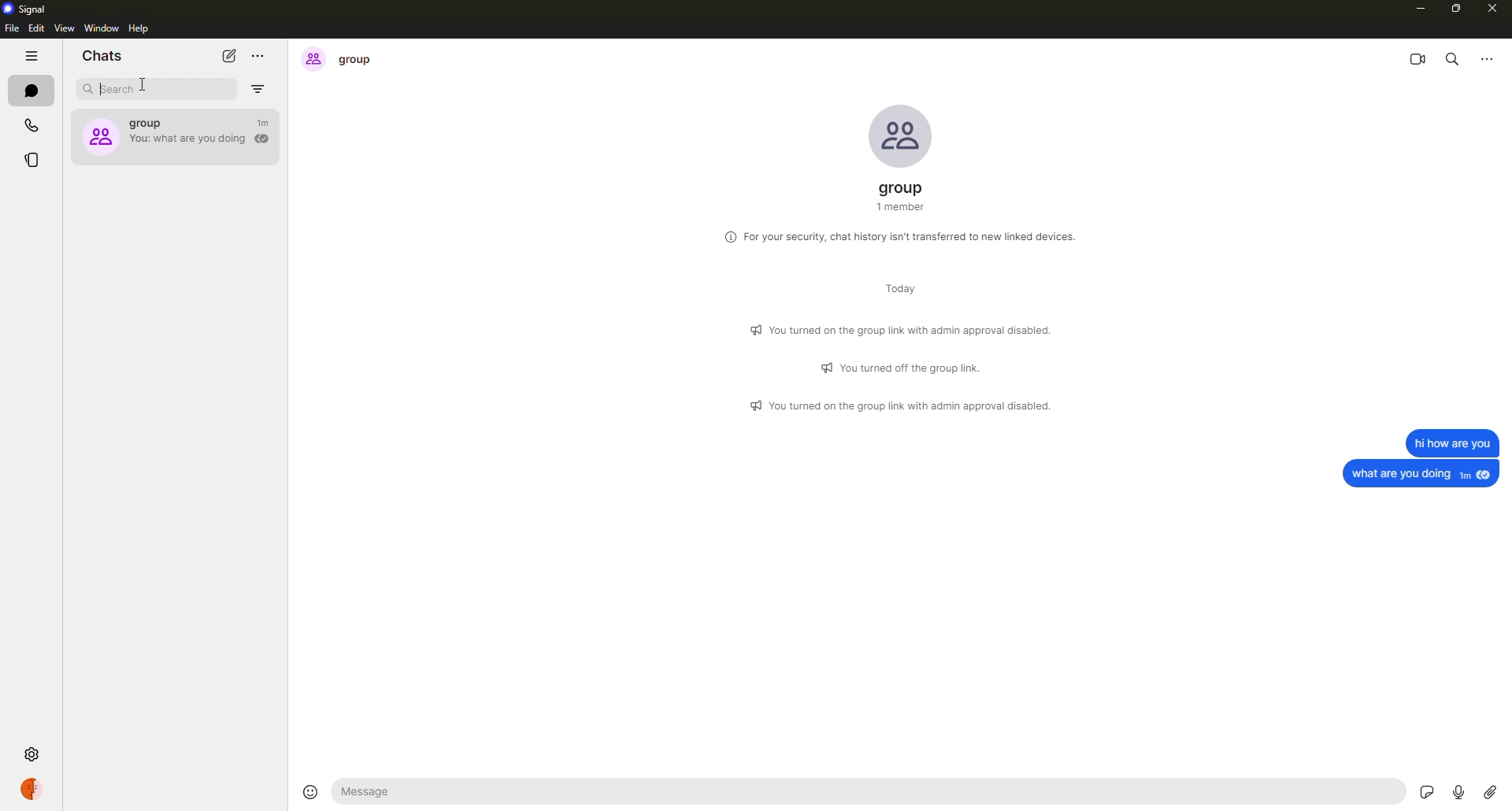  I want to click on message, so click(375, 792).